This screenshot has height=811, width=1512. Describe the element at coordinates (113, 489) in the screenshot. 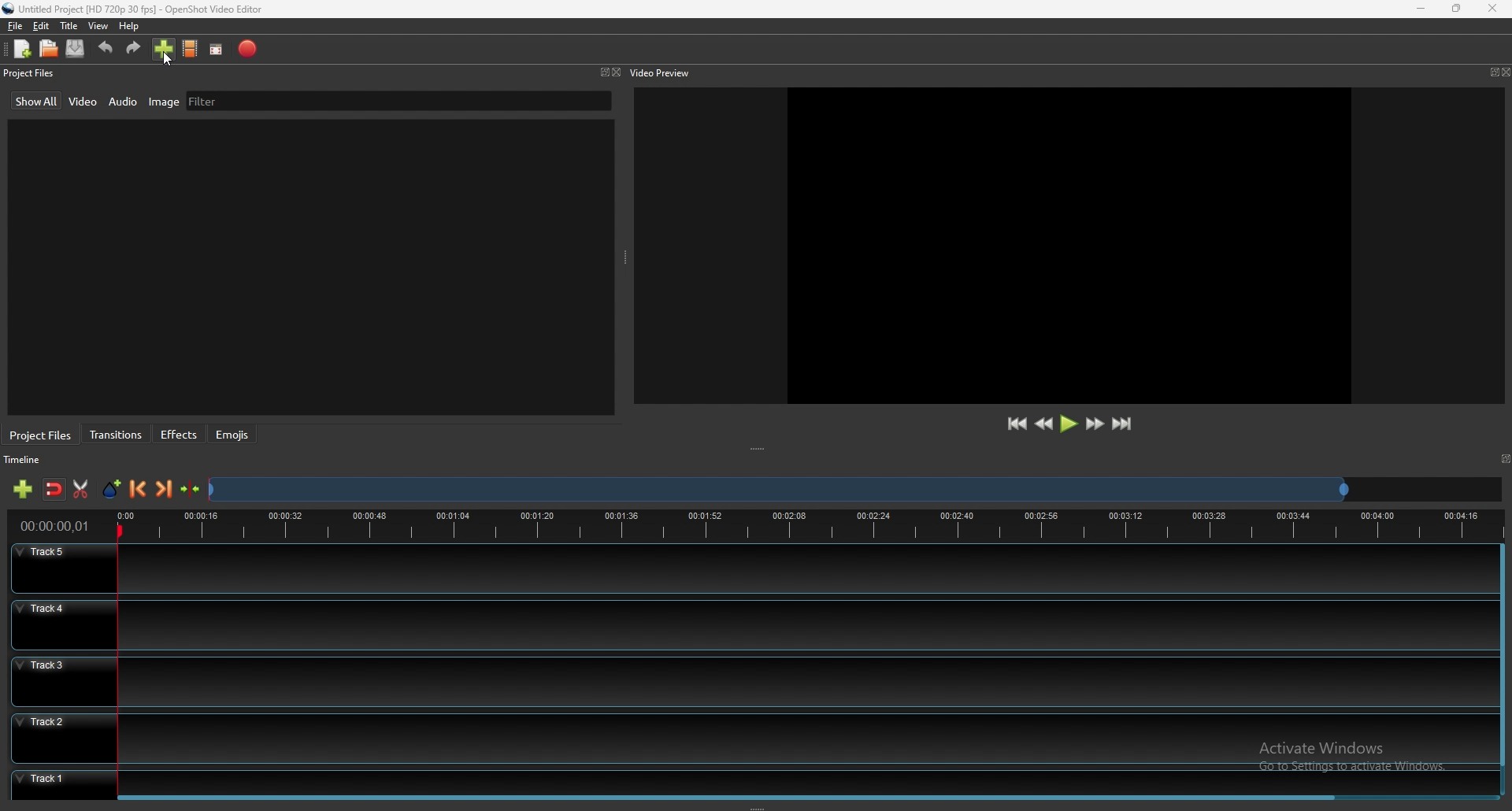

I see `add marker` at that location.